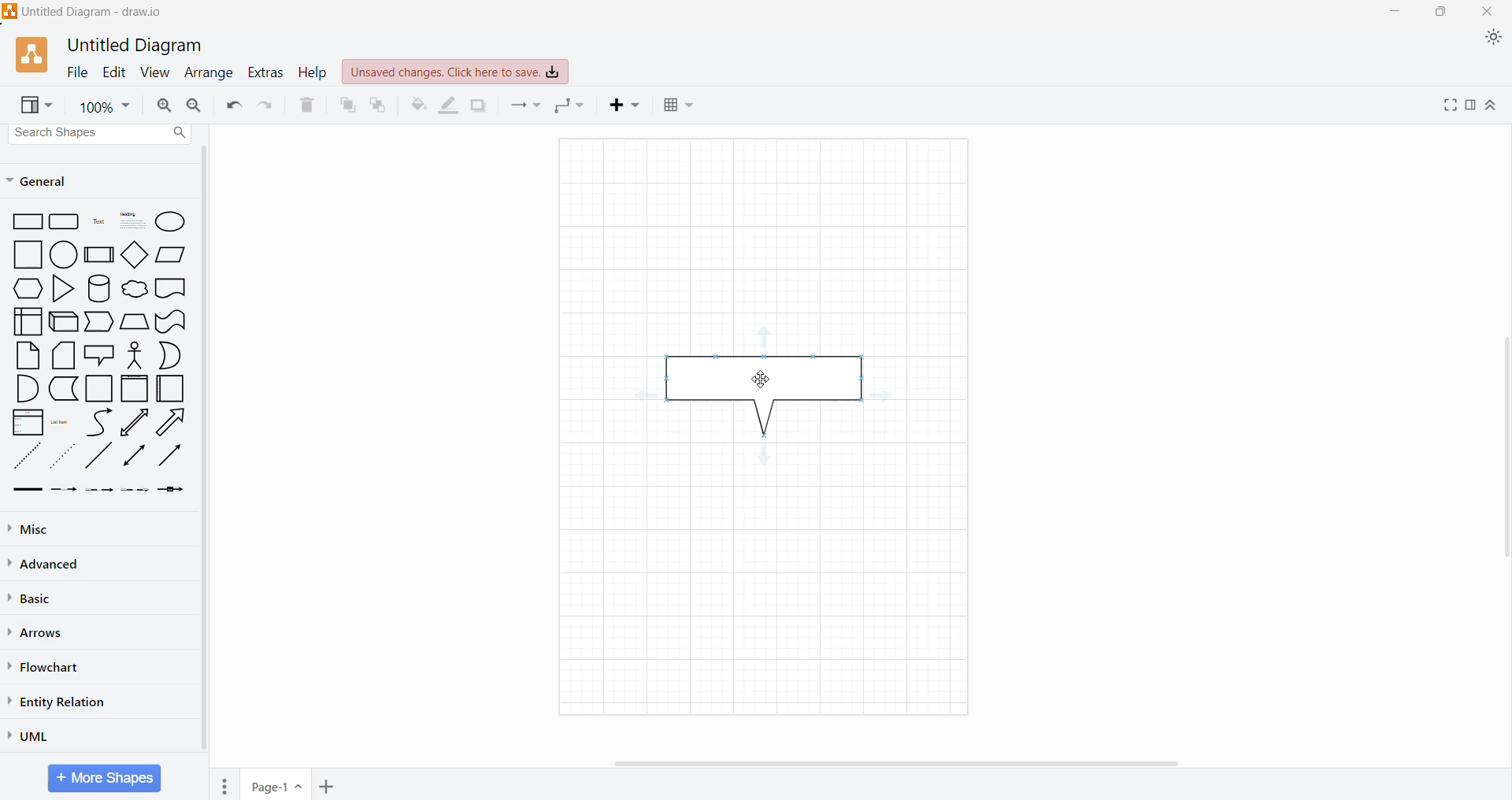 This screenshot has width=1512, height=800. Describe the element at coordinates (135, 354) in the screenshot. I see `Stick Figure` at that location.